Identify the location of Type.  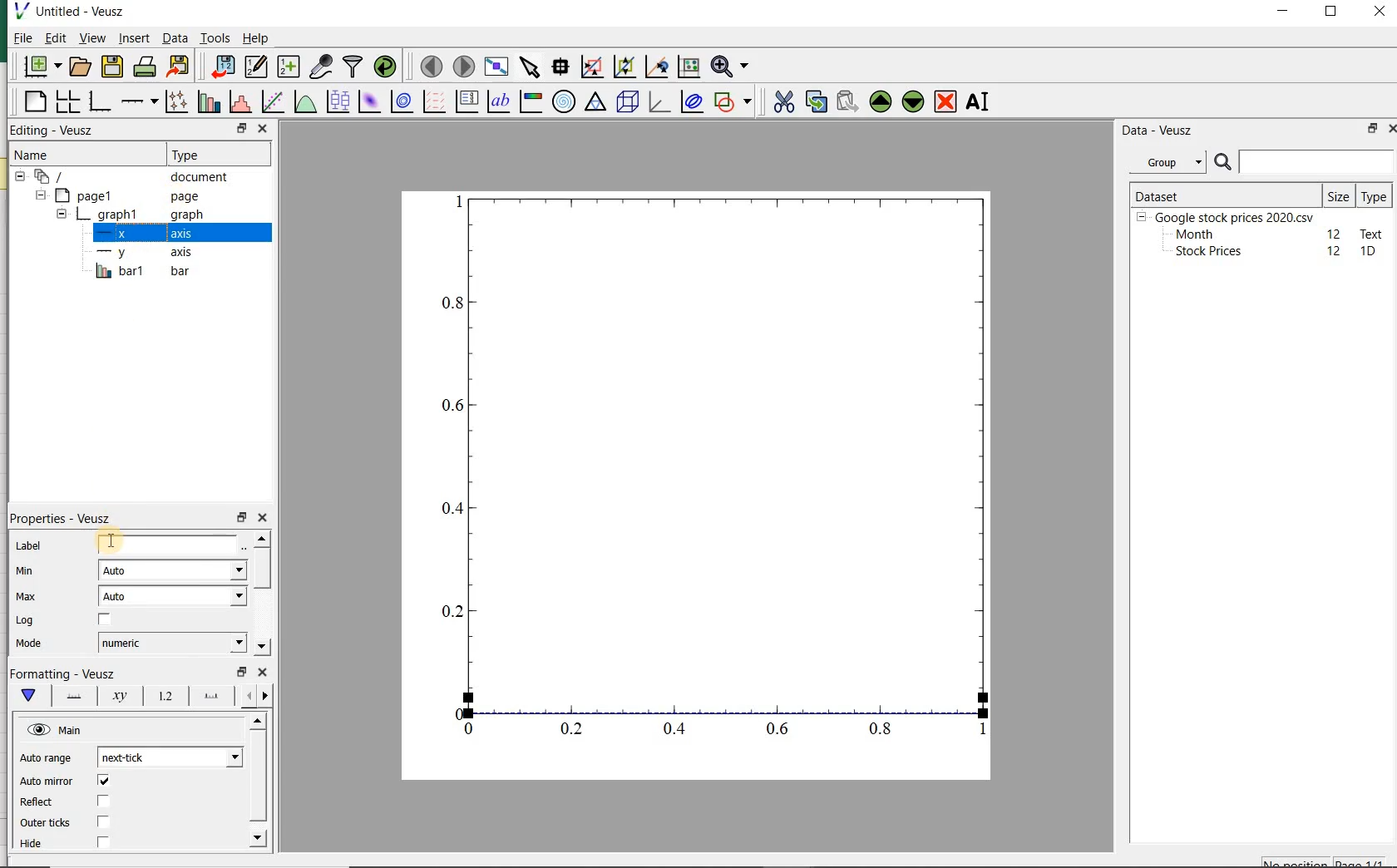
(1374, 195).